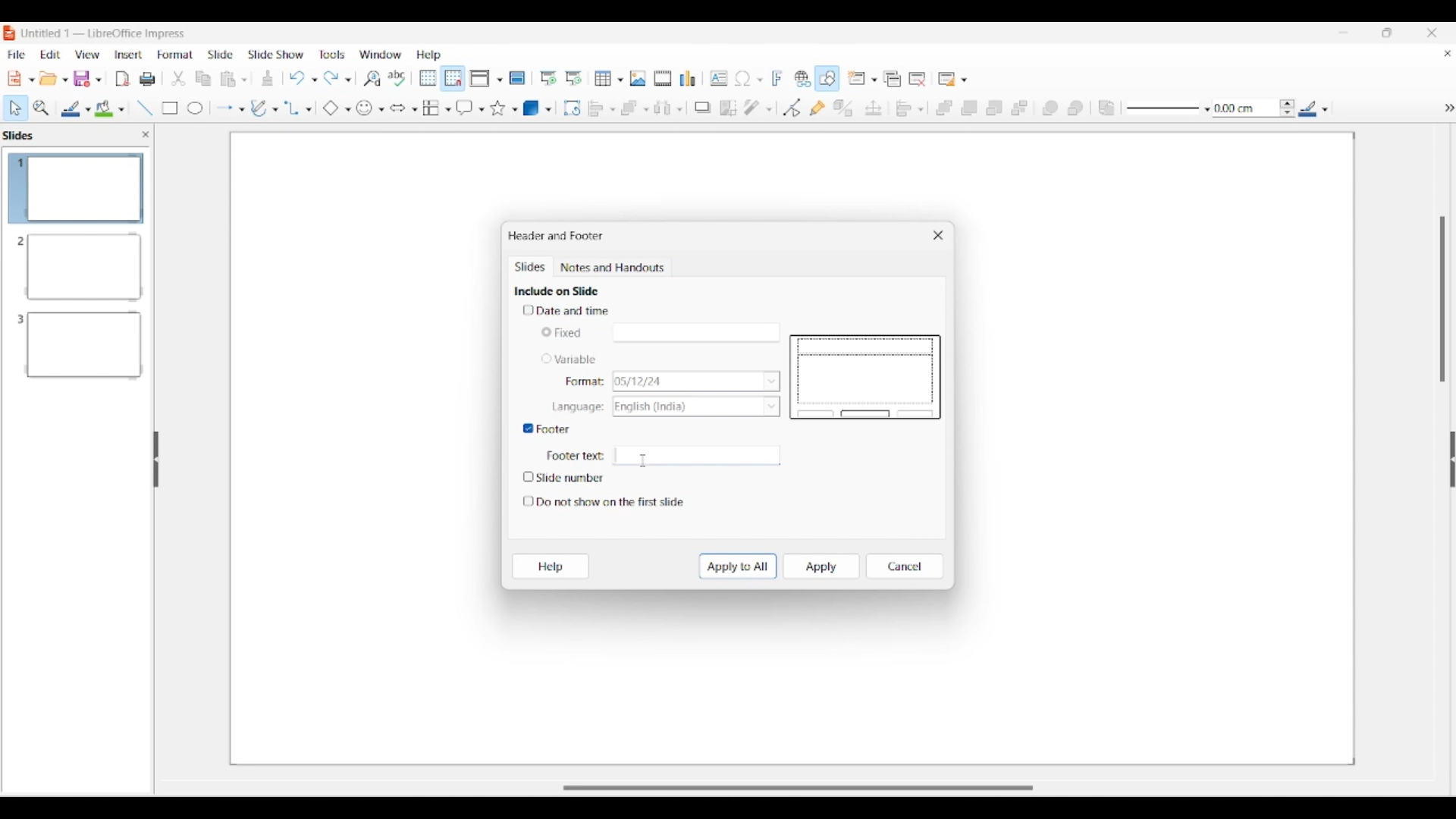 This screenshot has width=1456, height=819. What do you see at coordinates (147, 77) in the screenshot?
I see `Print` at bounding box center [147, 77].